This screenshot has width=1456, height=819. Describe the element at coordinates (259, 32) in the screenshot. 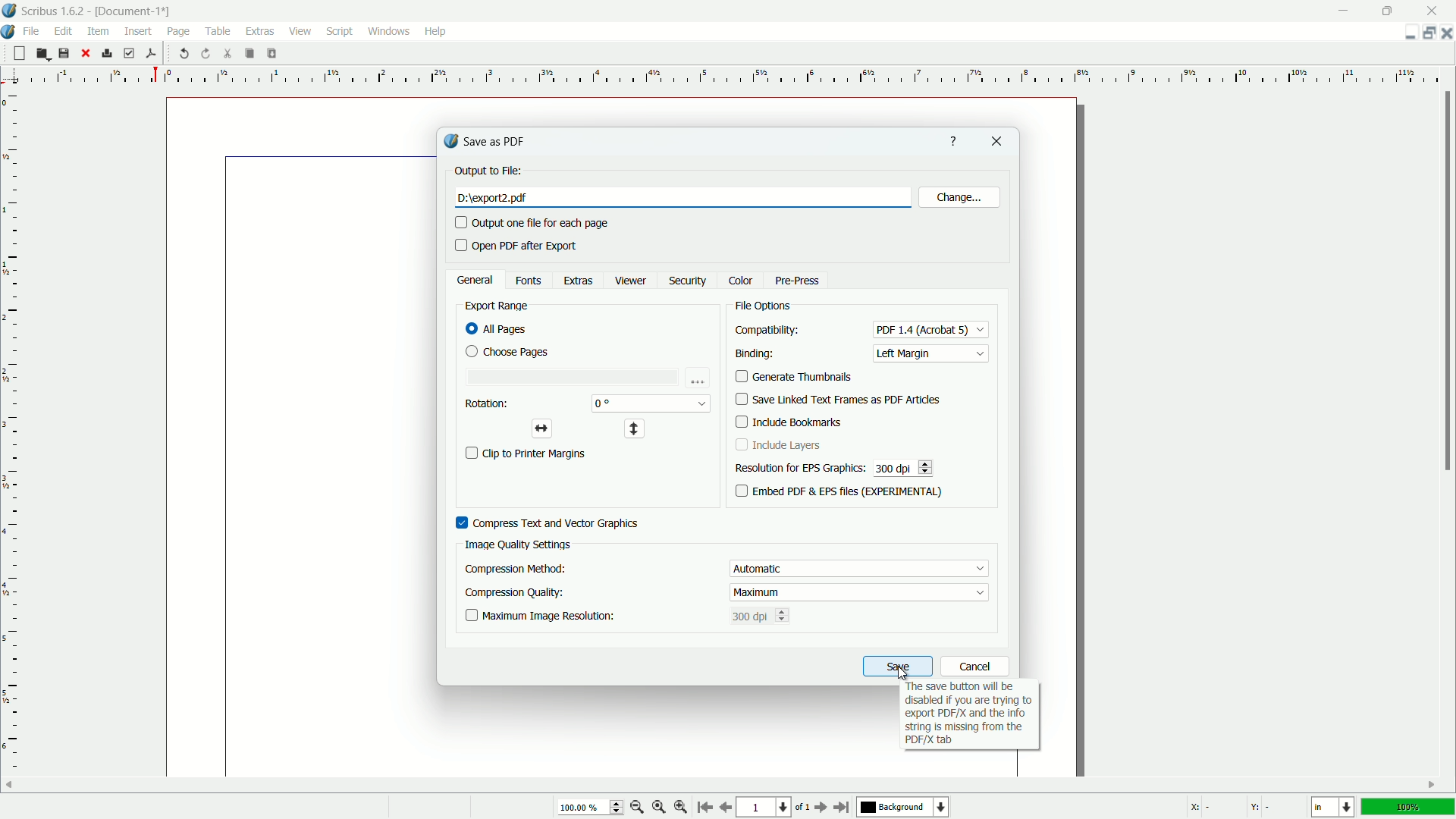

I see `extras menu` at that location.